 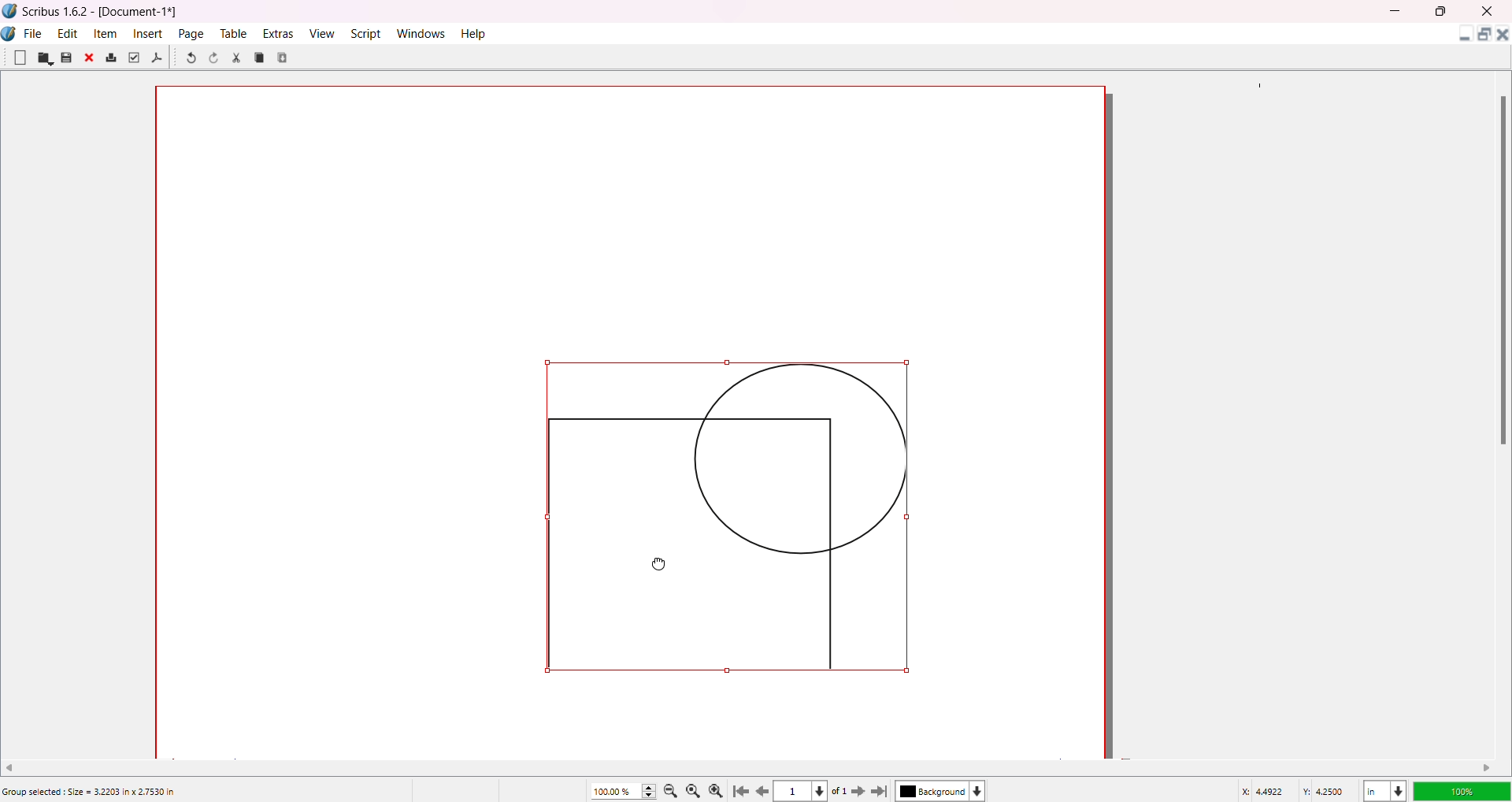 What do you see at coordinates (475, 33) in the screenshot?
I see `Help` at bounding box center [475, 33].